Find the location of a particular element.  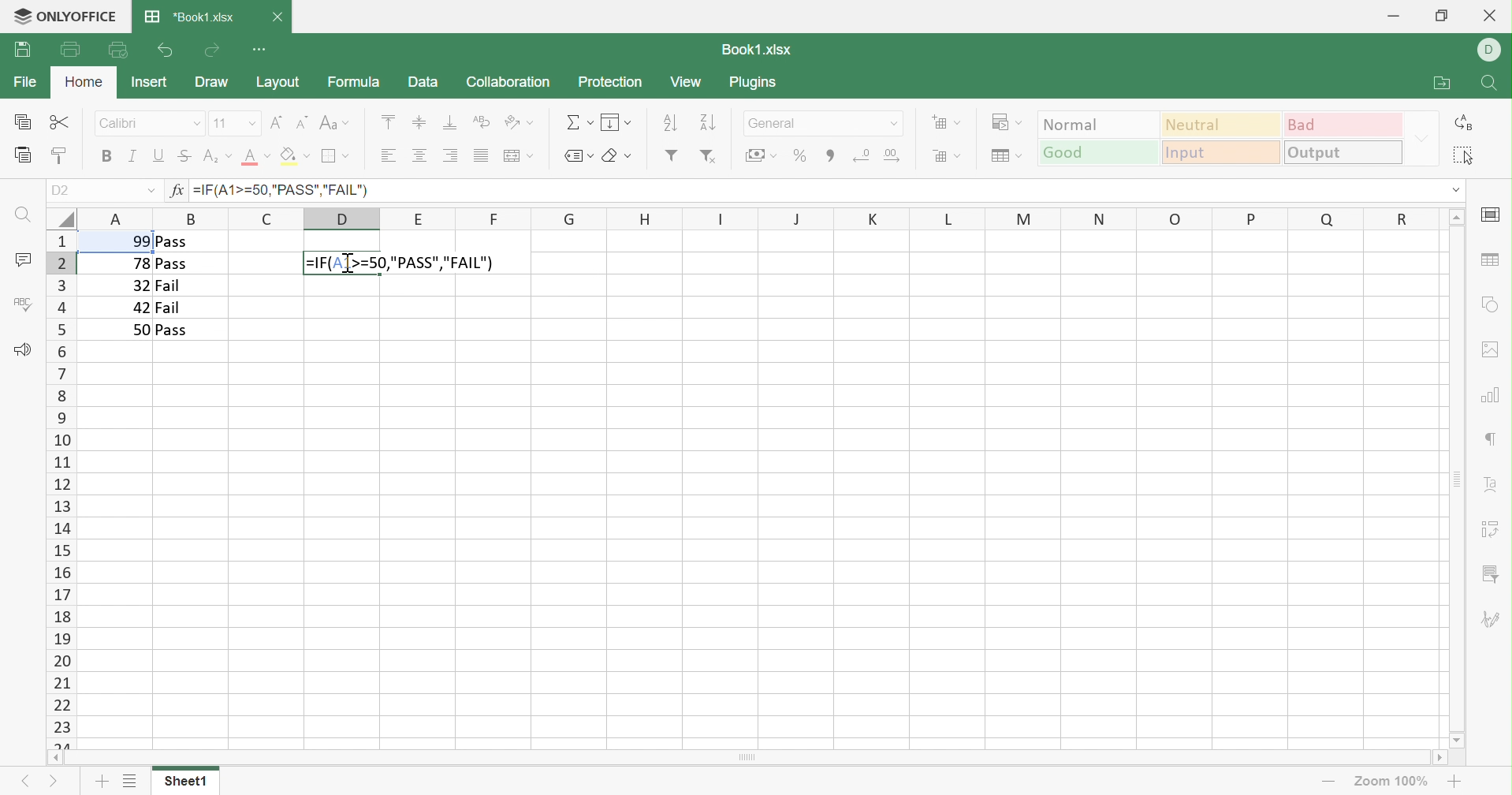

View is located at coordinates (686, 82).